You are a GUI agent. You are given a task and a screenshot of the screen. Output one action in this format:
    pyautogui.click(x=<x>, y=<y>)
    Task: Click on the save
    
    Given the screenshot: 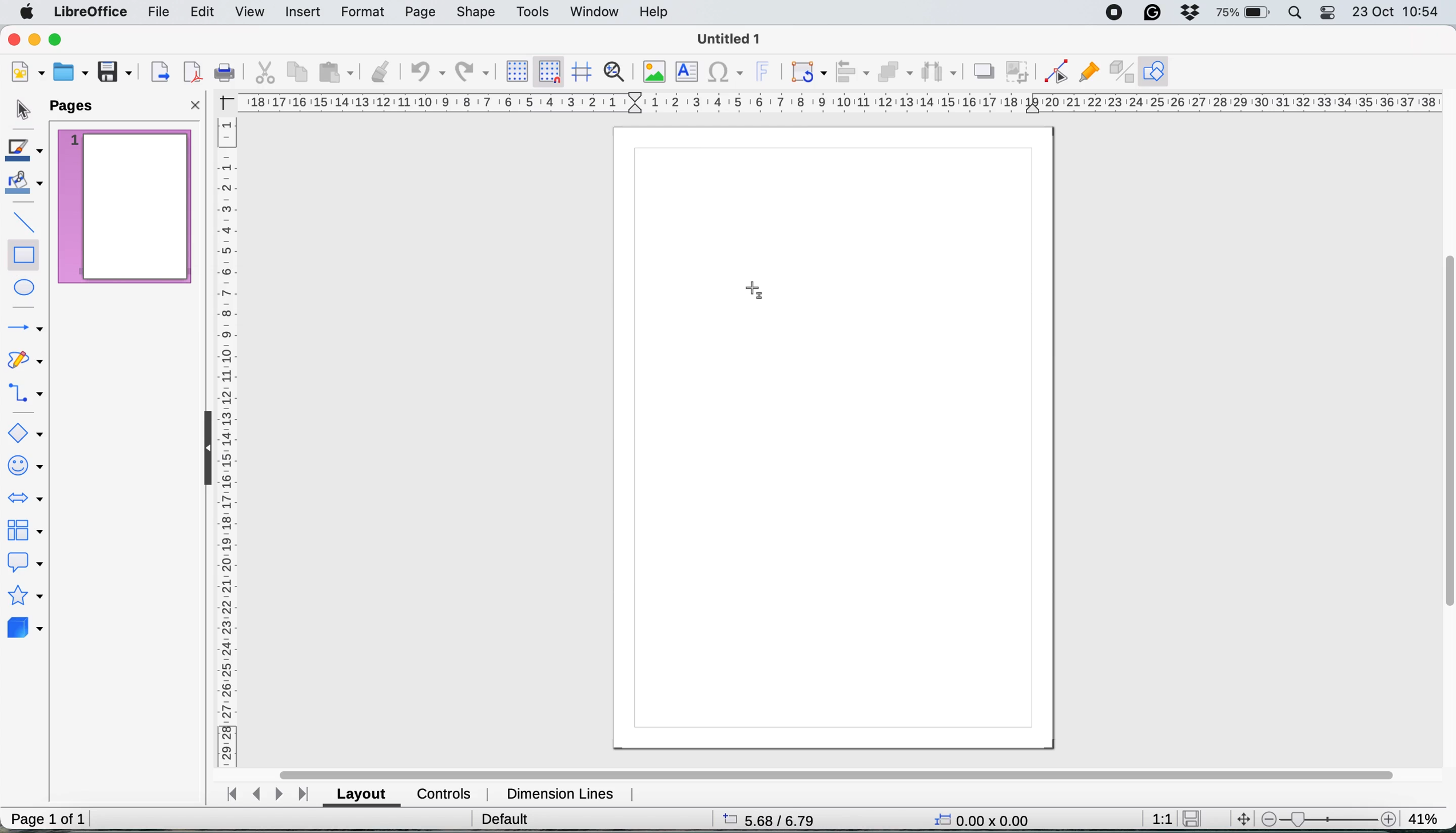 What is the action you would take?
    pyautogui.click(x=1196, y=818)
    